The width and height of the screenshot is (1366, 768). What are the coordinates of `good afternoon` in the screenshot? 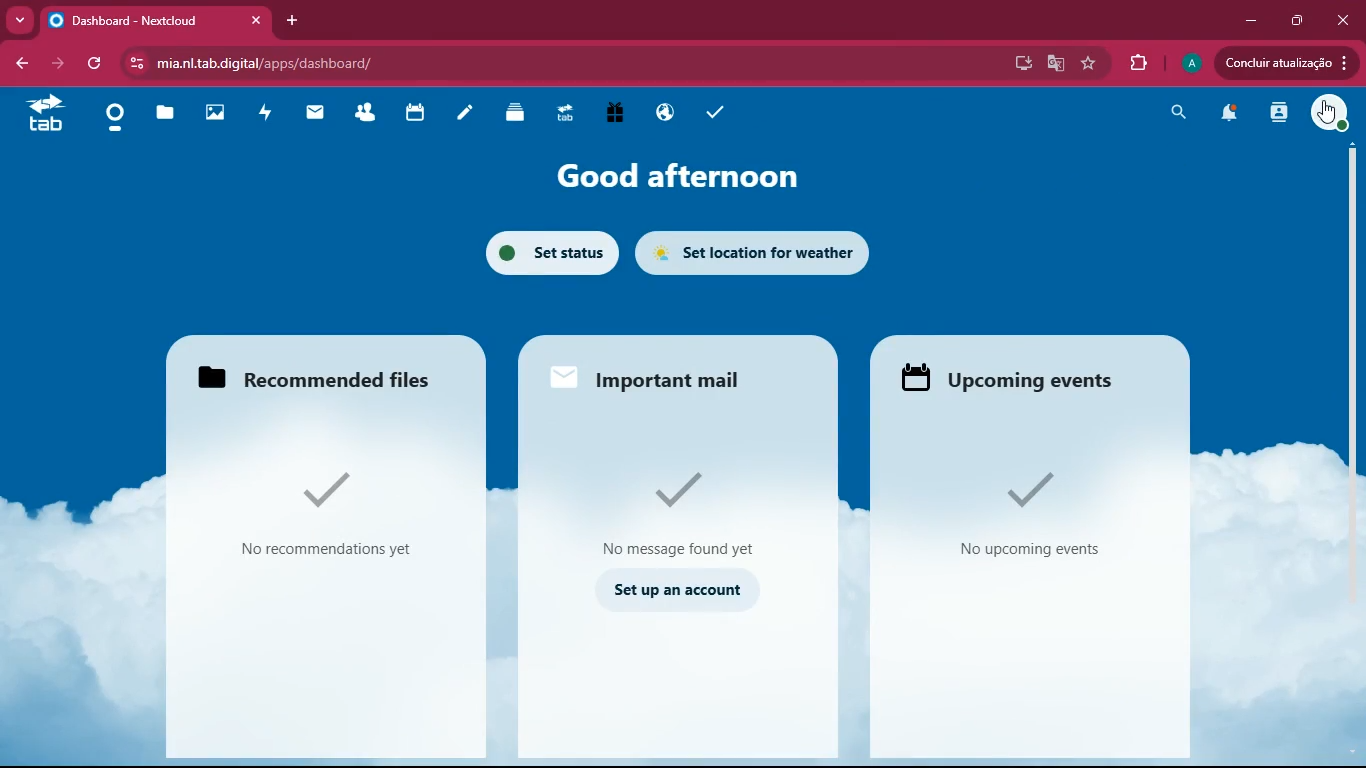 It's located at (682, 174).